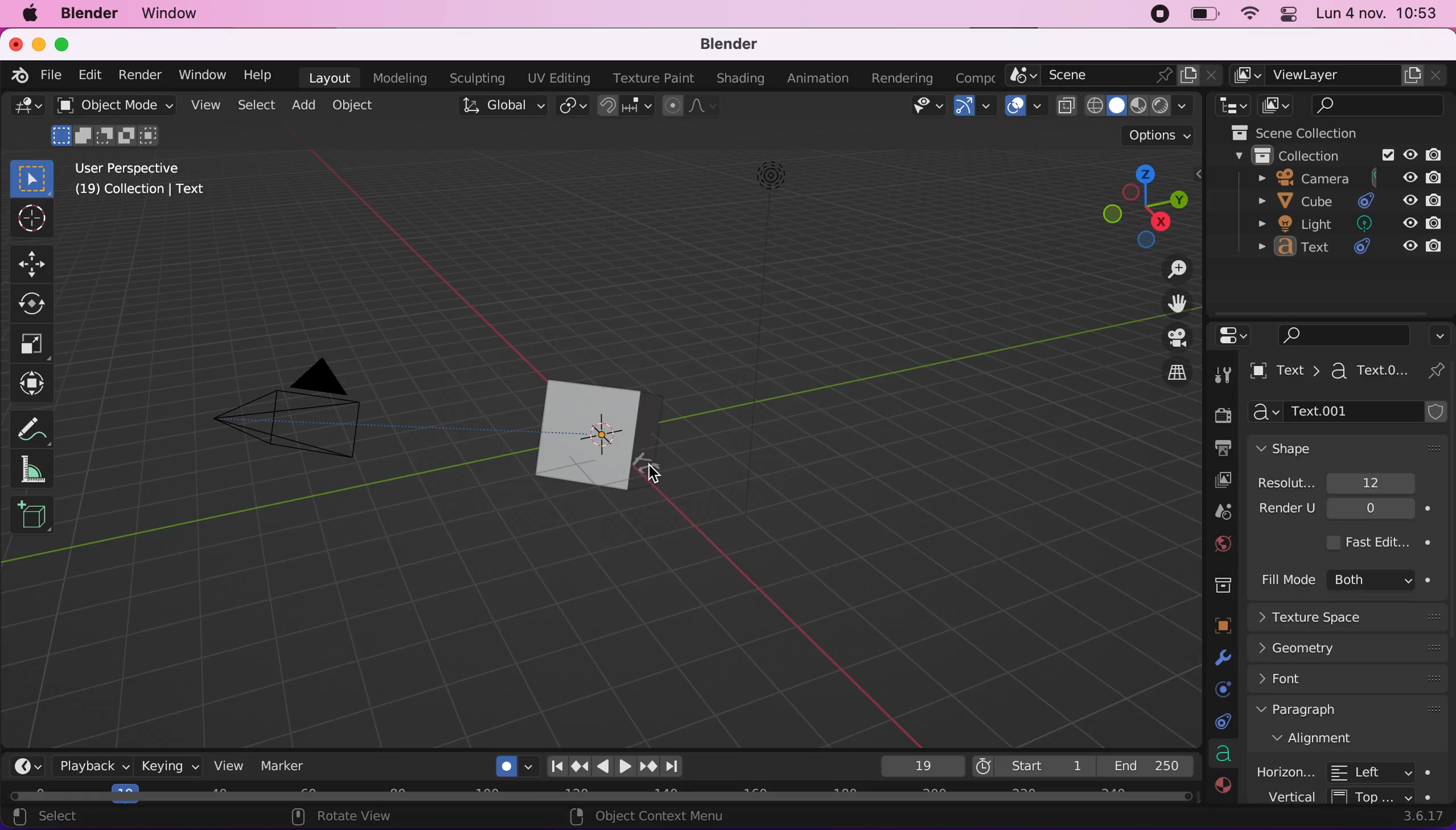 This screenshot has width=1456, height=830. I want to click on display mode, so click(1279, 105).